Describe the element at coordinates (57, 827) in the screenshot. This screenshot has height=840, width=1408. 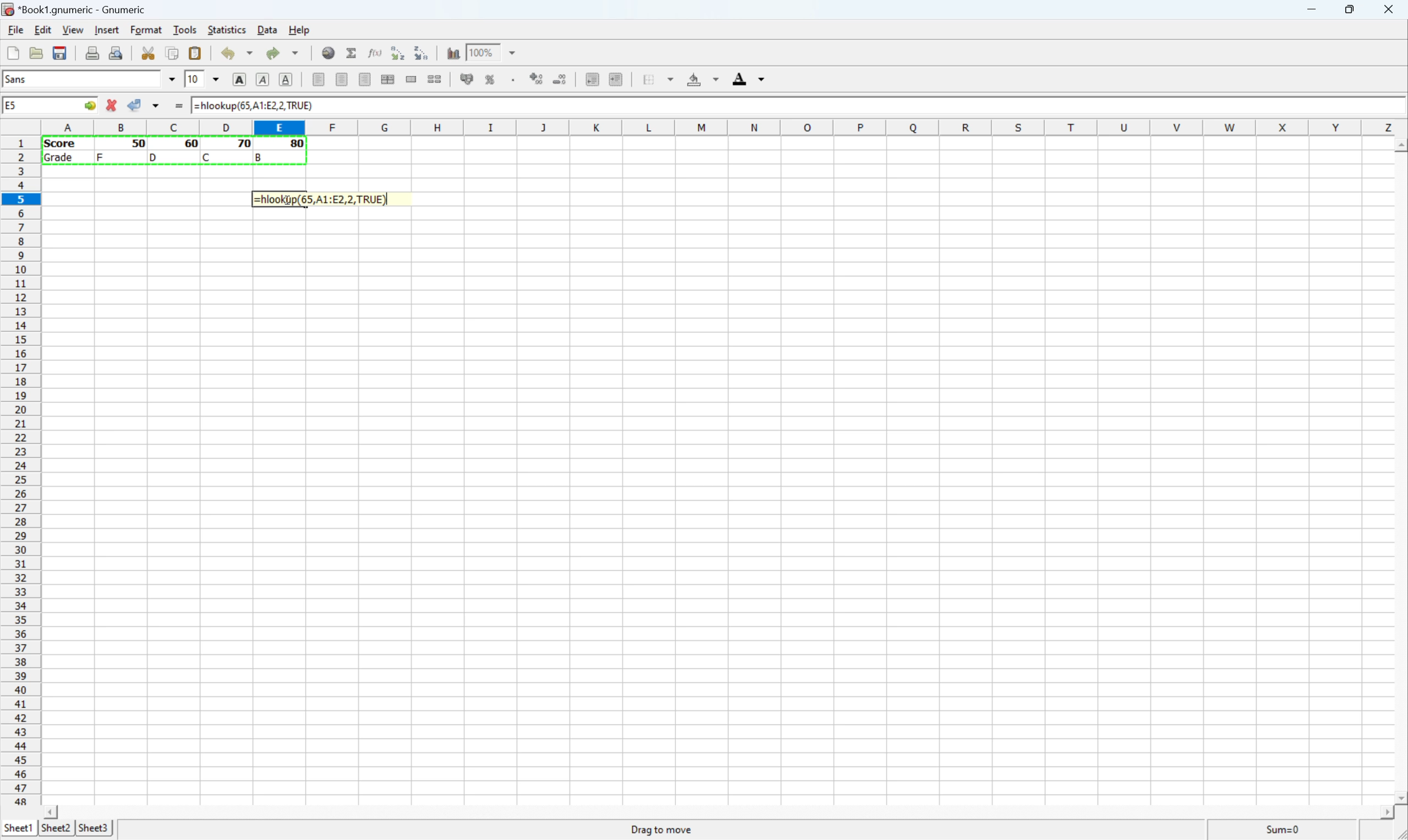
I see `Sheet 2` at that location.